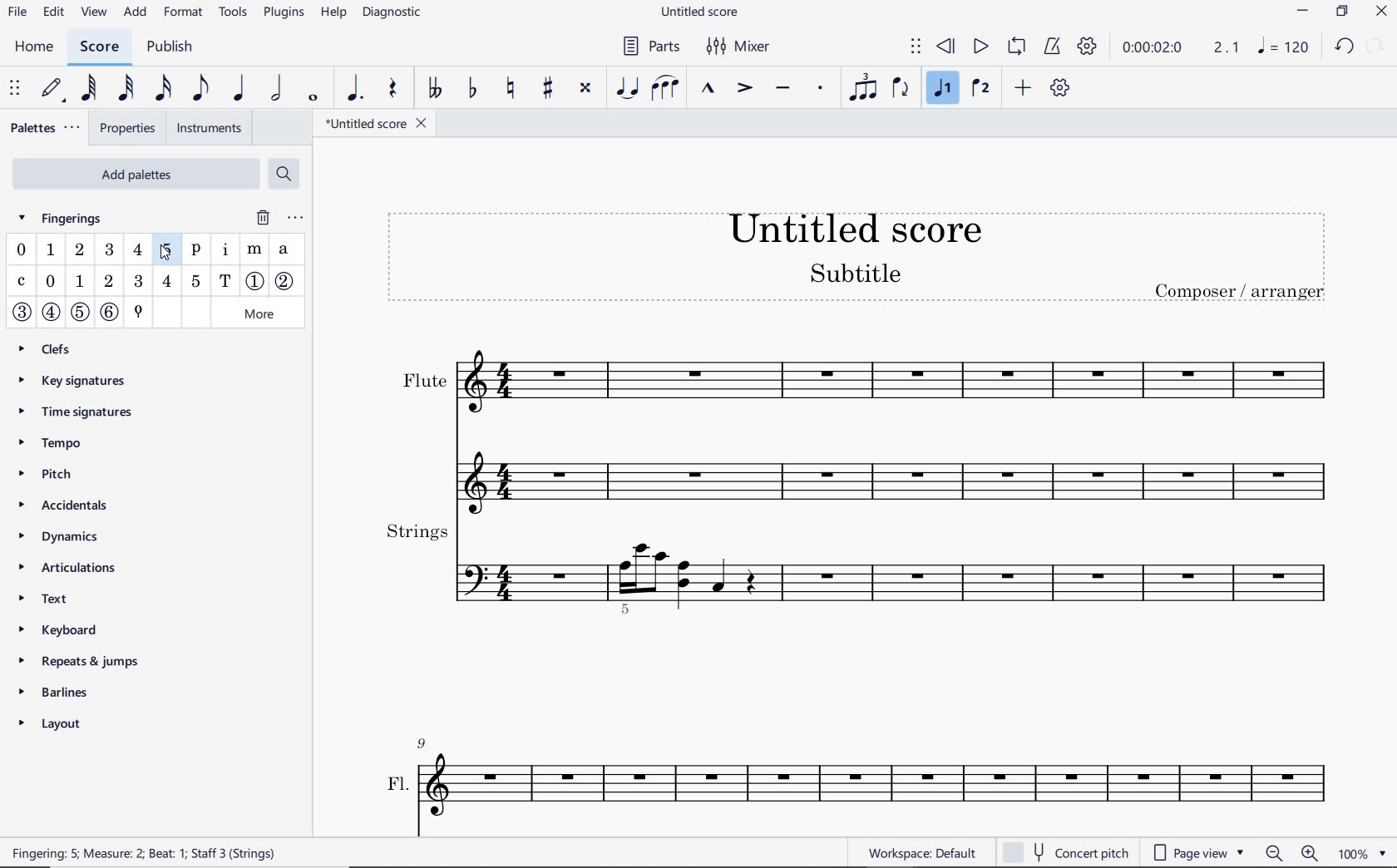  Describe the element at coordinates (394, 13) in the screenshot. I see `diagnostic` at that location.